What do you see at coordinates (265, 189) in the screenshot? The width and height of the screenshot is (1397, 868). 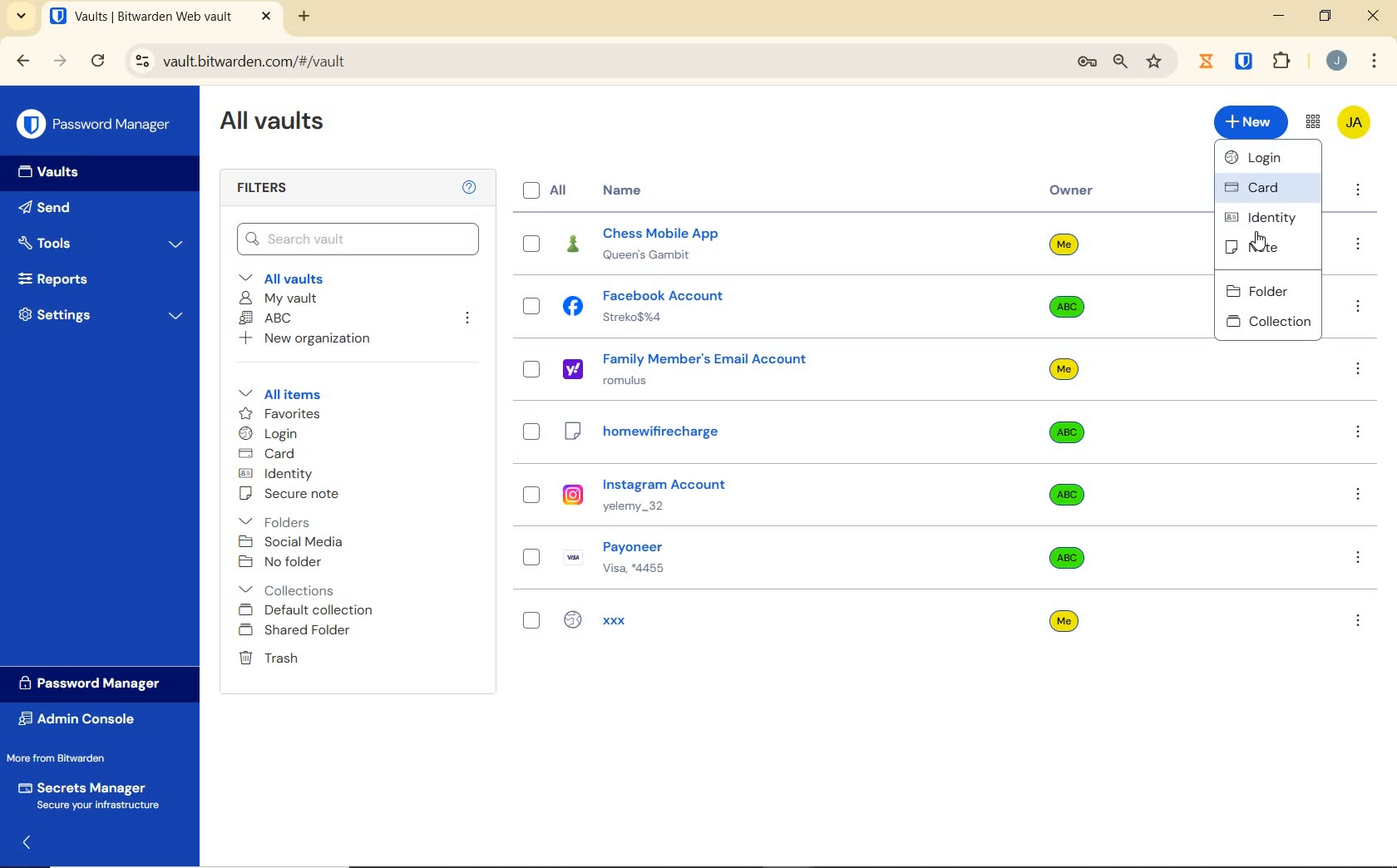 I see `Filters` at bounding box center [265, 189].